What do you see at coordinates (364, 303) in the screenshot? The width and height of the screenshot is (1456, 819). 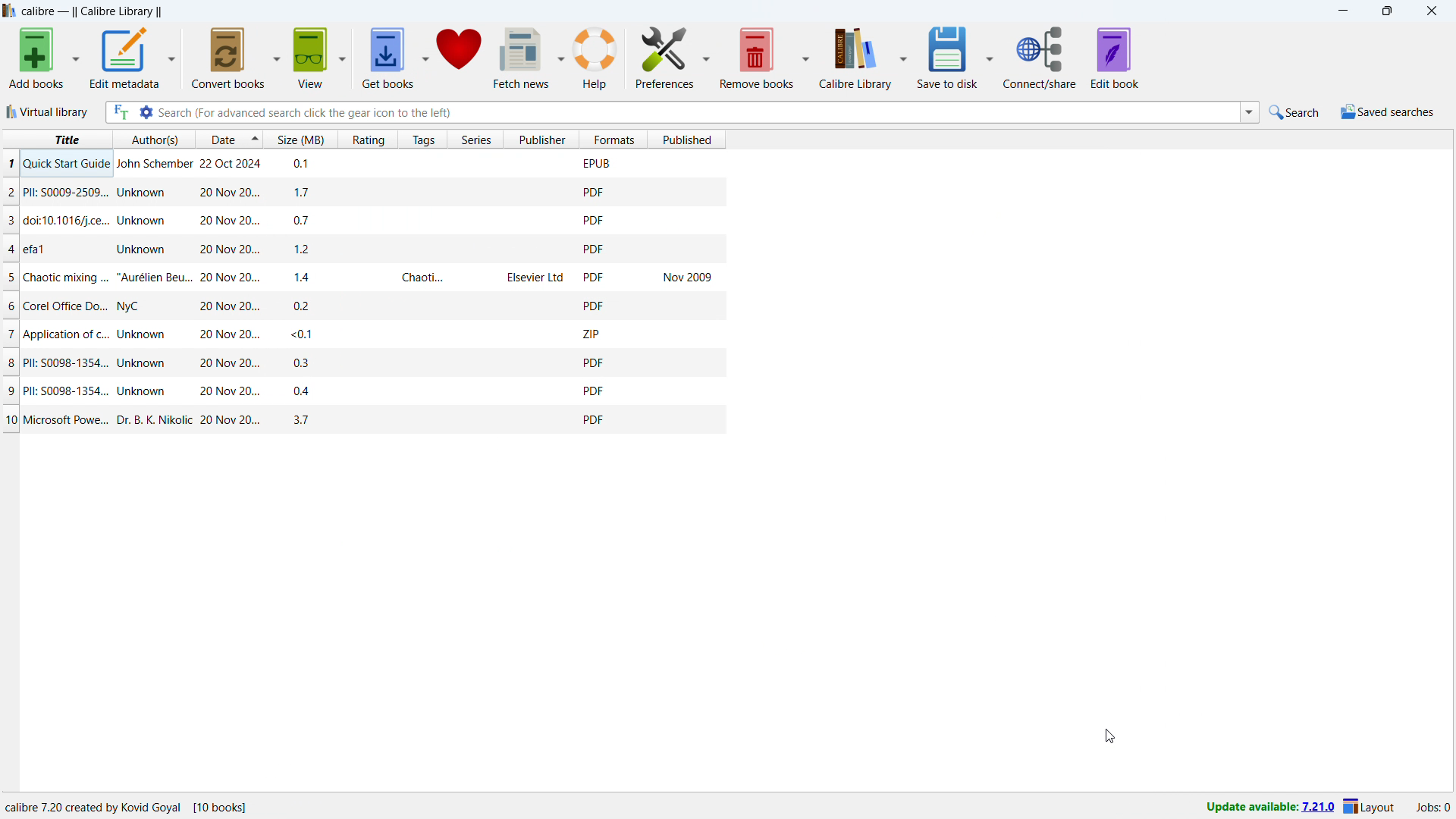 I see `6 Corel Office Do... NyC 20 Nov 20... 02` at bounding box center [364, 303].